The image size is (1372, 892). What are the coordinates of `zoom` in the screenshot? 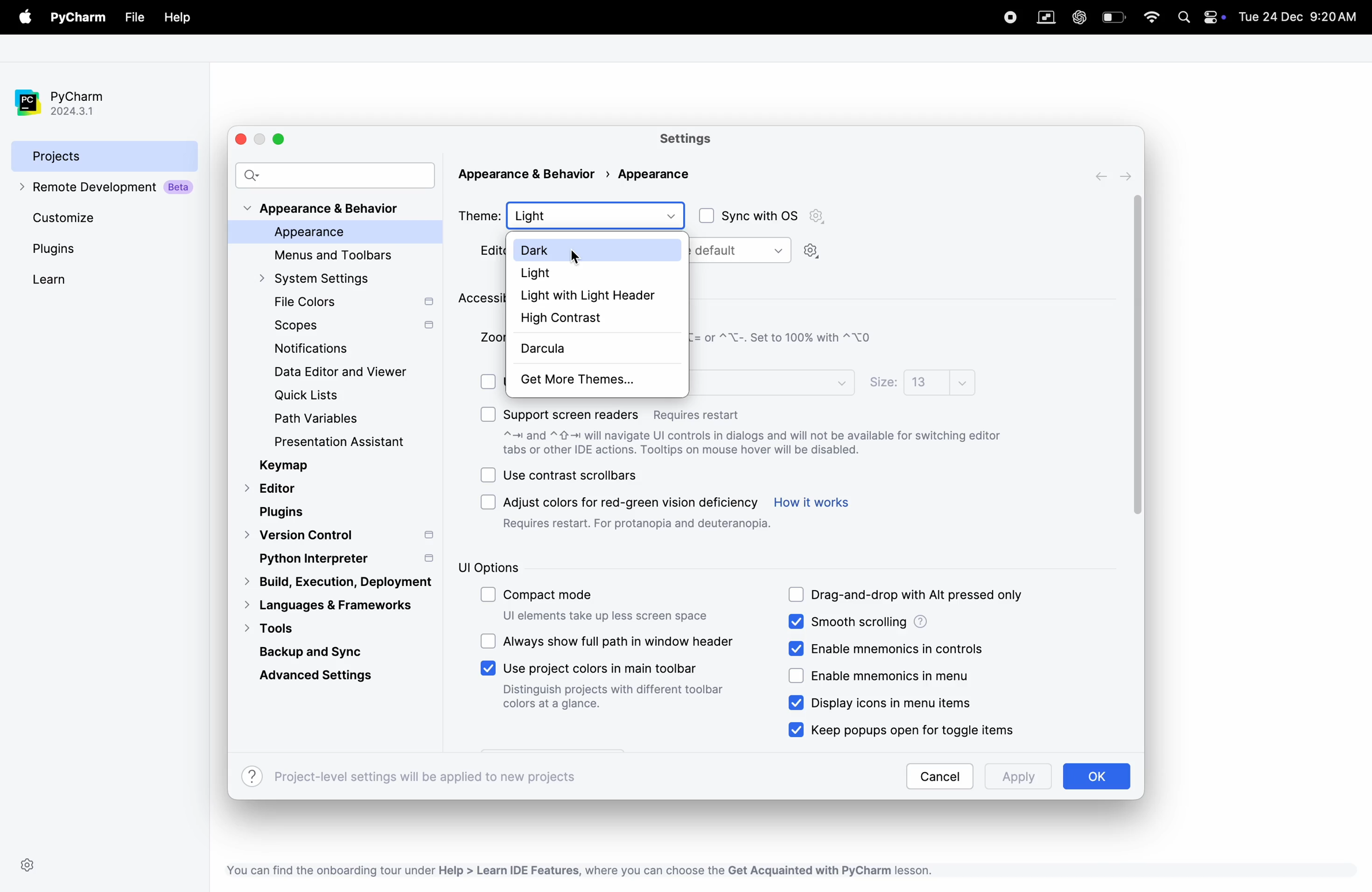 It's located at (489, 337).